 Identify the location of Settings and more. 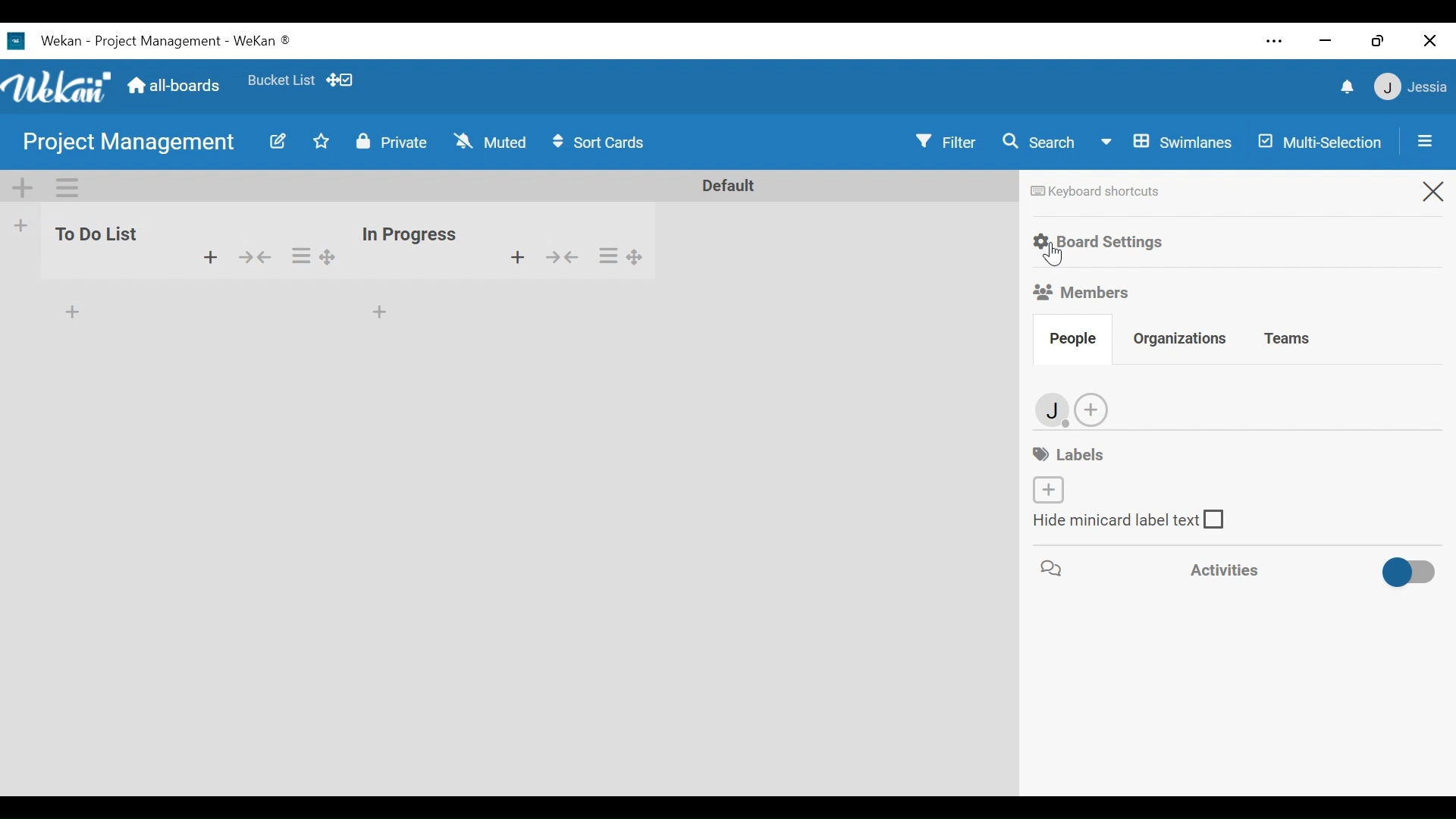
(1276, 40).